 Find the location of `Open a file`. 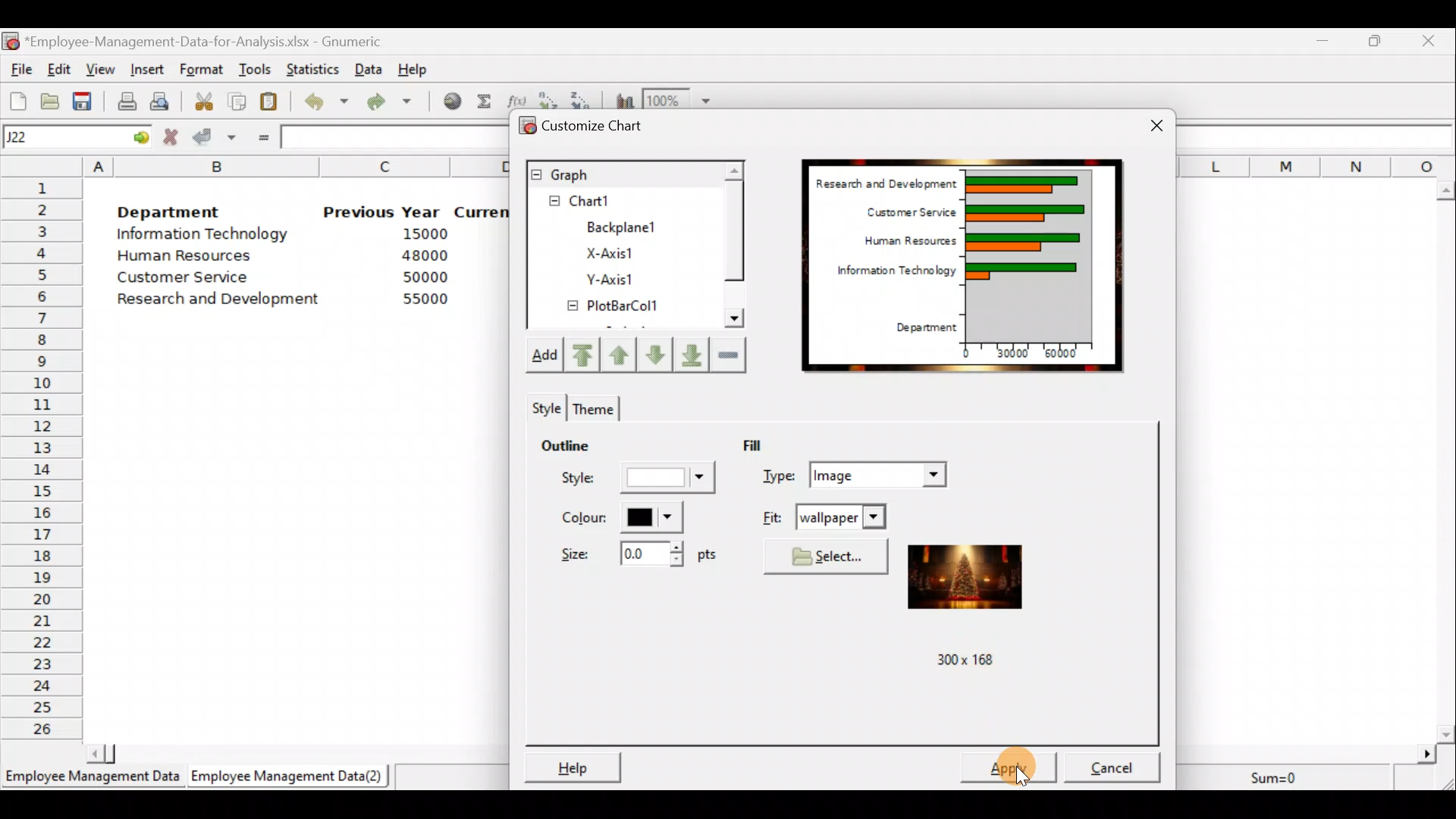

Open a file is located at coordinates (49, 99).